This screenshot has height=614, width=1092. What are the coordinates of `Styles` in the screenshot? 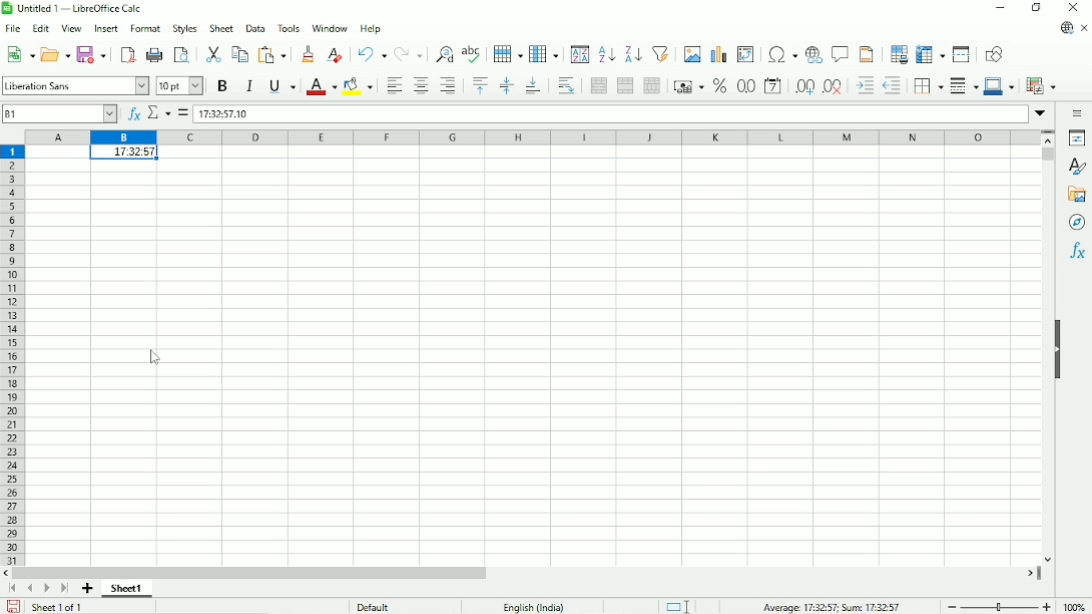 It's located at (1079, 165).